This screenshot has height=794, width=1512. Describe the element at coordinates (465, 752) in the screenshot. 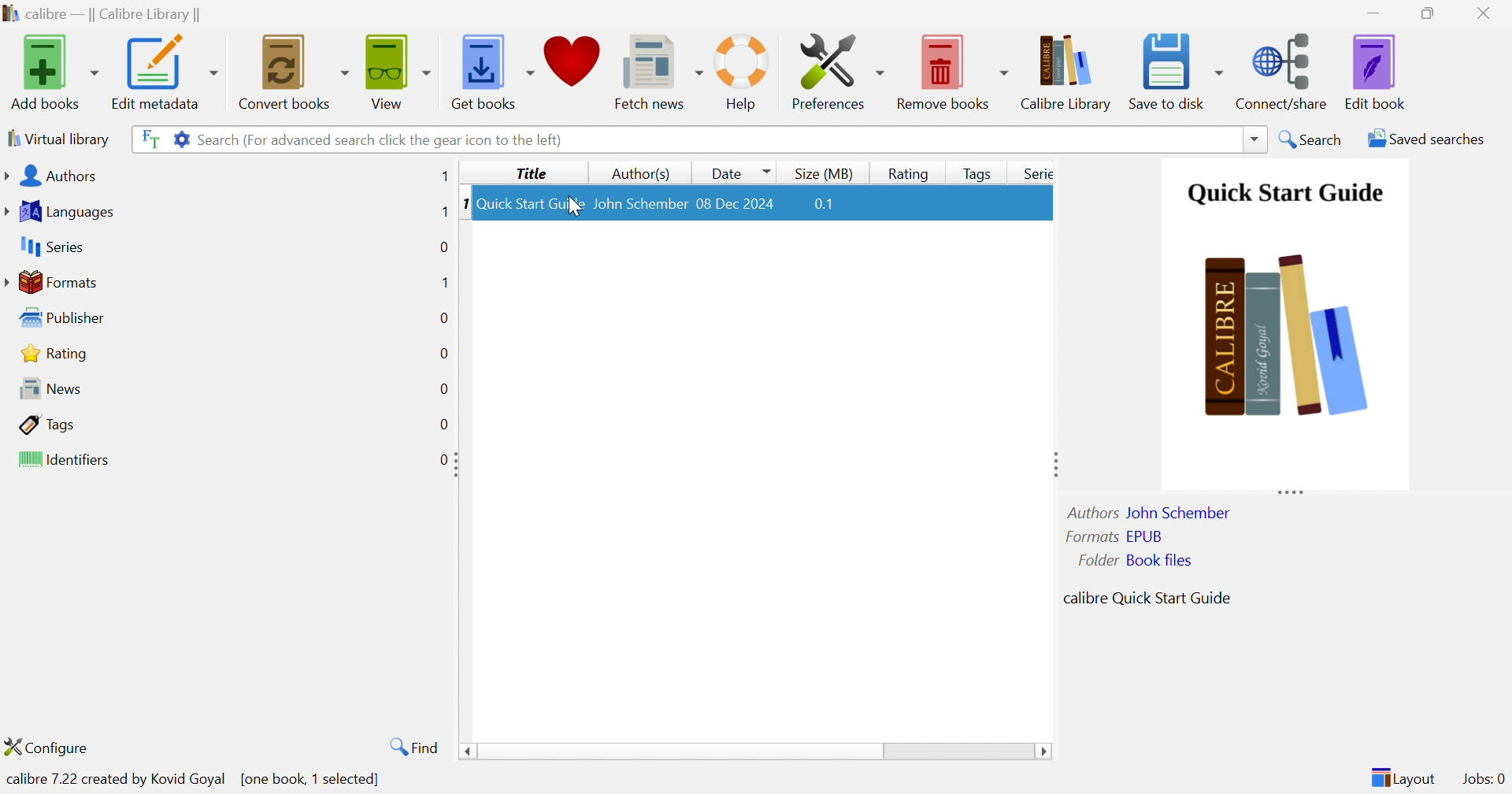

I see `Scroll Left` at that location.